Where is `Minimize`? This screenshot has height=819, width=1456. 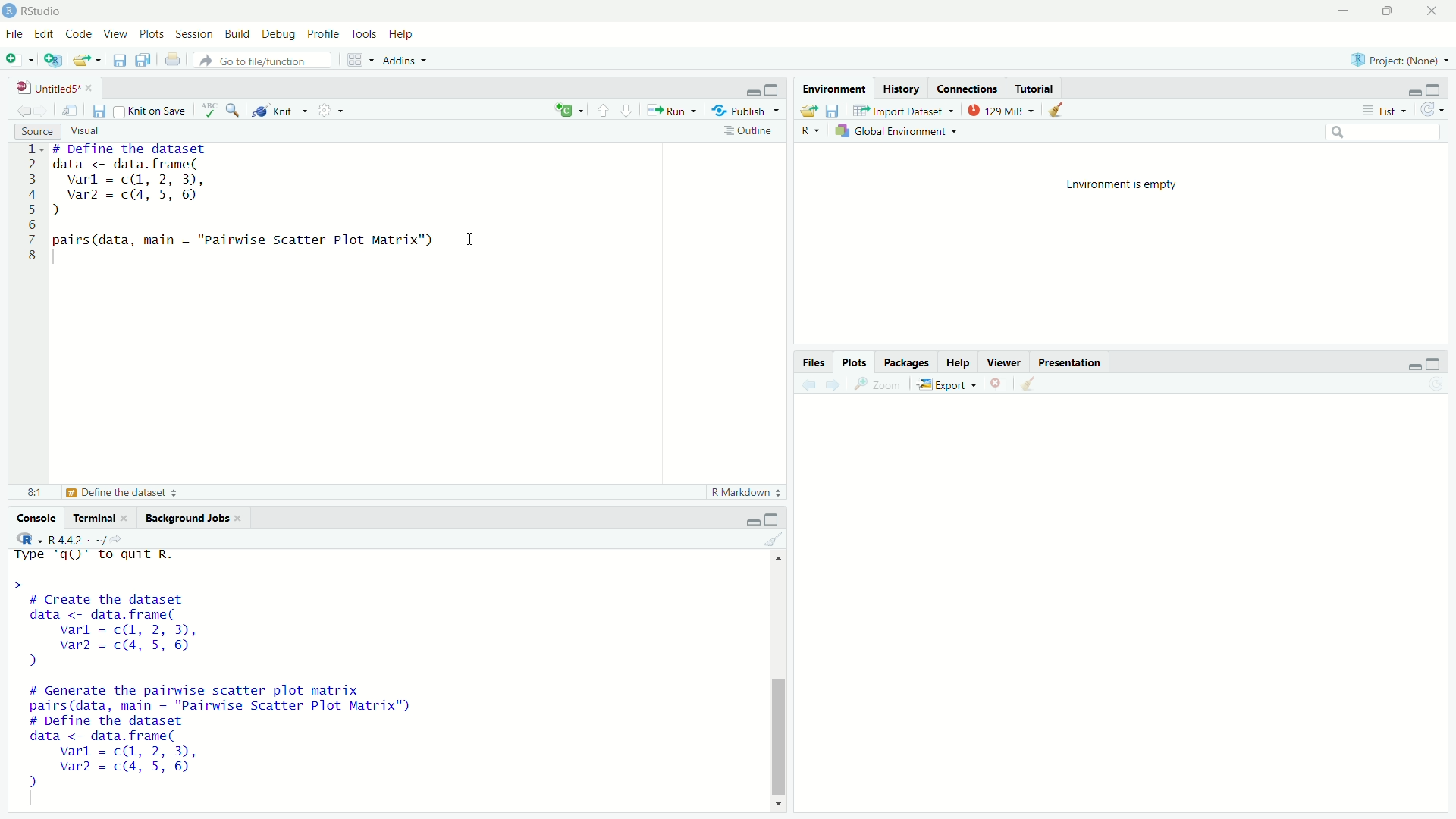
Minimize is located at coordinates (1344, 9).